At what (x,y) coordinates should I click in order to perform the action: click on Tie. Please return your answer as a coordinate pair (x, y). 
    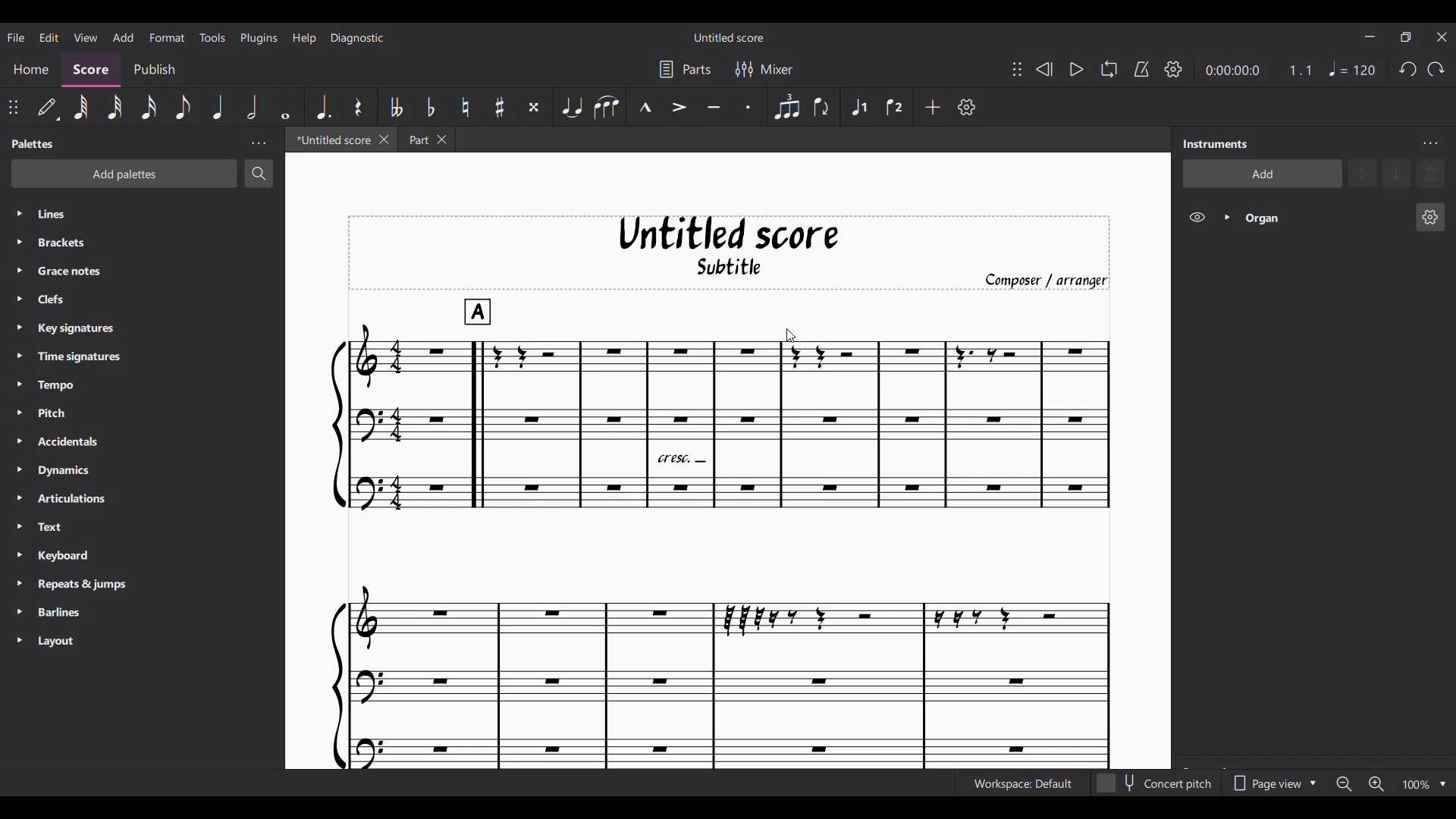
    Looking at the image, I should click on (572, 107).